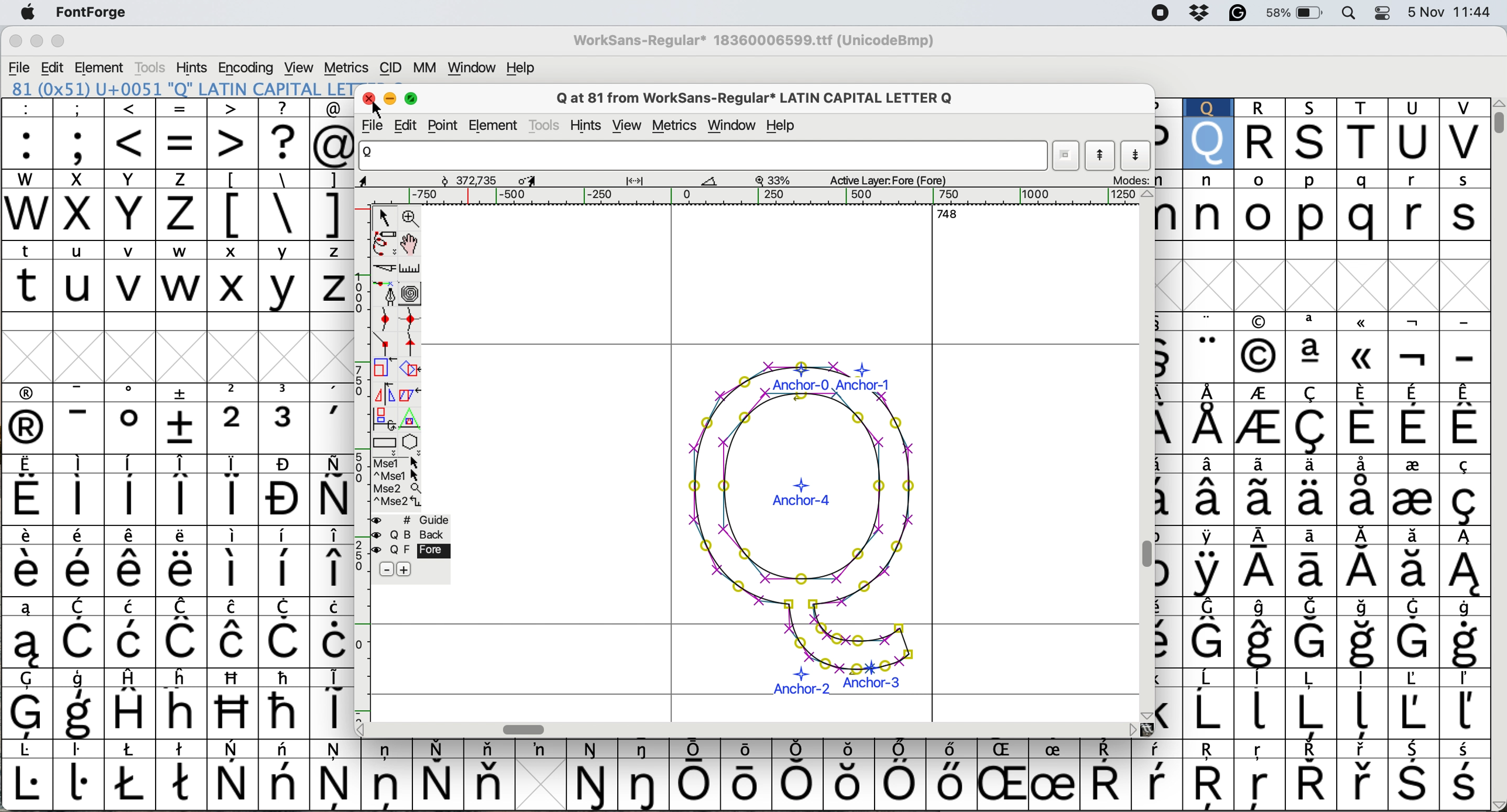  I want to click on add a point then drag out its points, so click(384, 295).